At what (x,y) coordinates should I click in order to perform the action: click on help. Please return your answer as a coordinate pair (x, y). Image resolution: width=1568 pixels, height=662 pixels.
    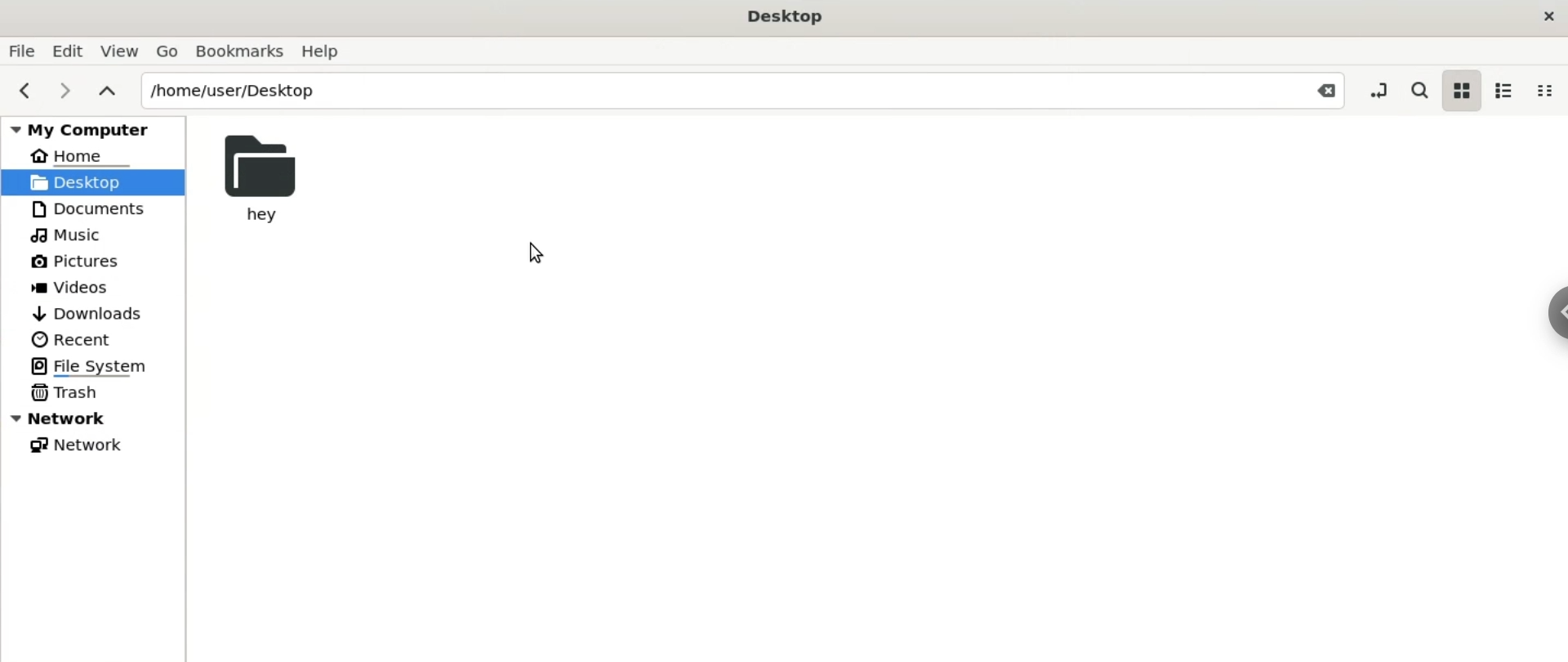
    Looking at the image, I should click on (330, 51).